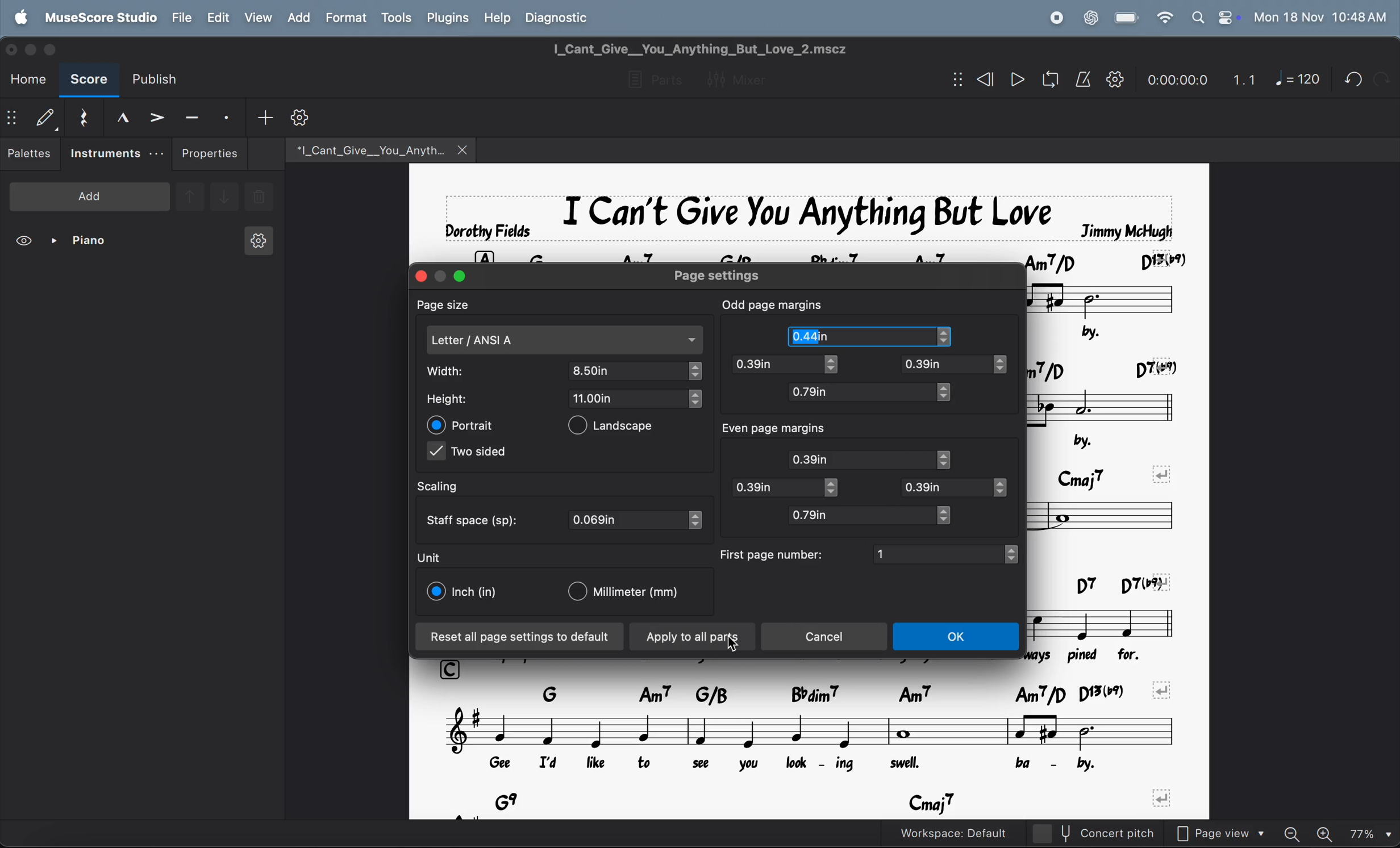  Describe the element at coordinates (1017, 81) in the screenshot. I see `play` at that location.